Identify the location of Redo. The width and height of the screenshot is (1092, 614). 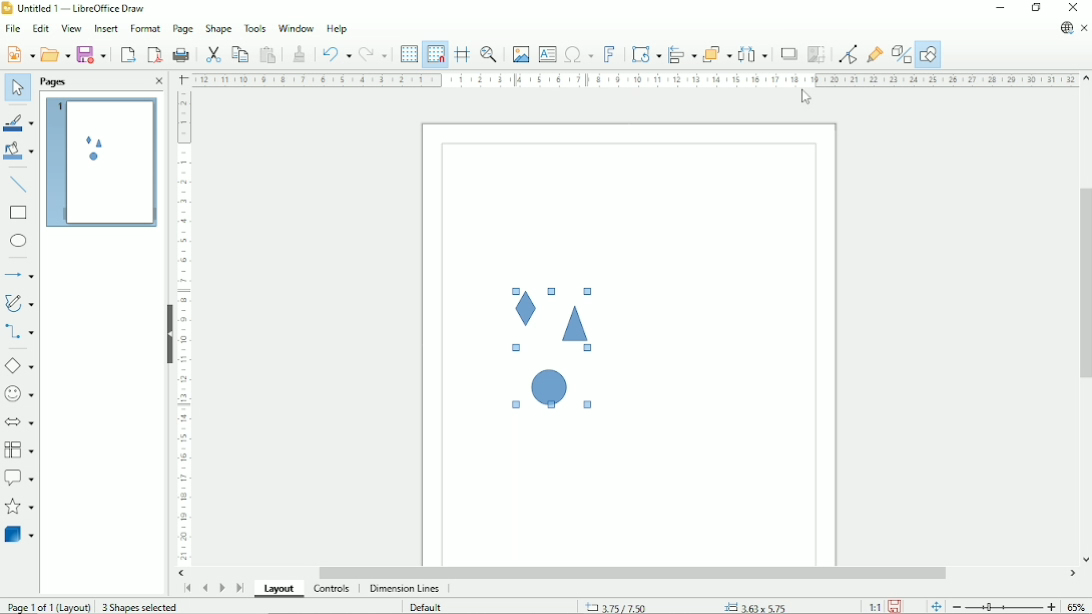
(374, 53).